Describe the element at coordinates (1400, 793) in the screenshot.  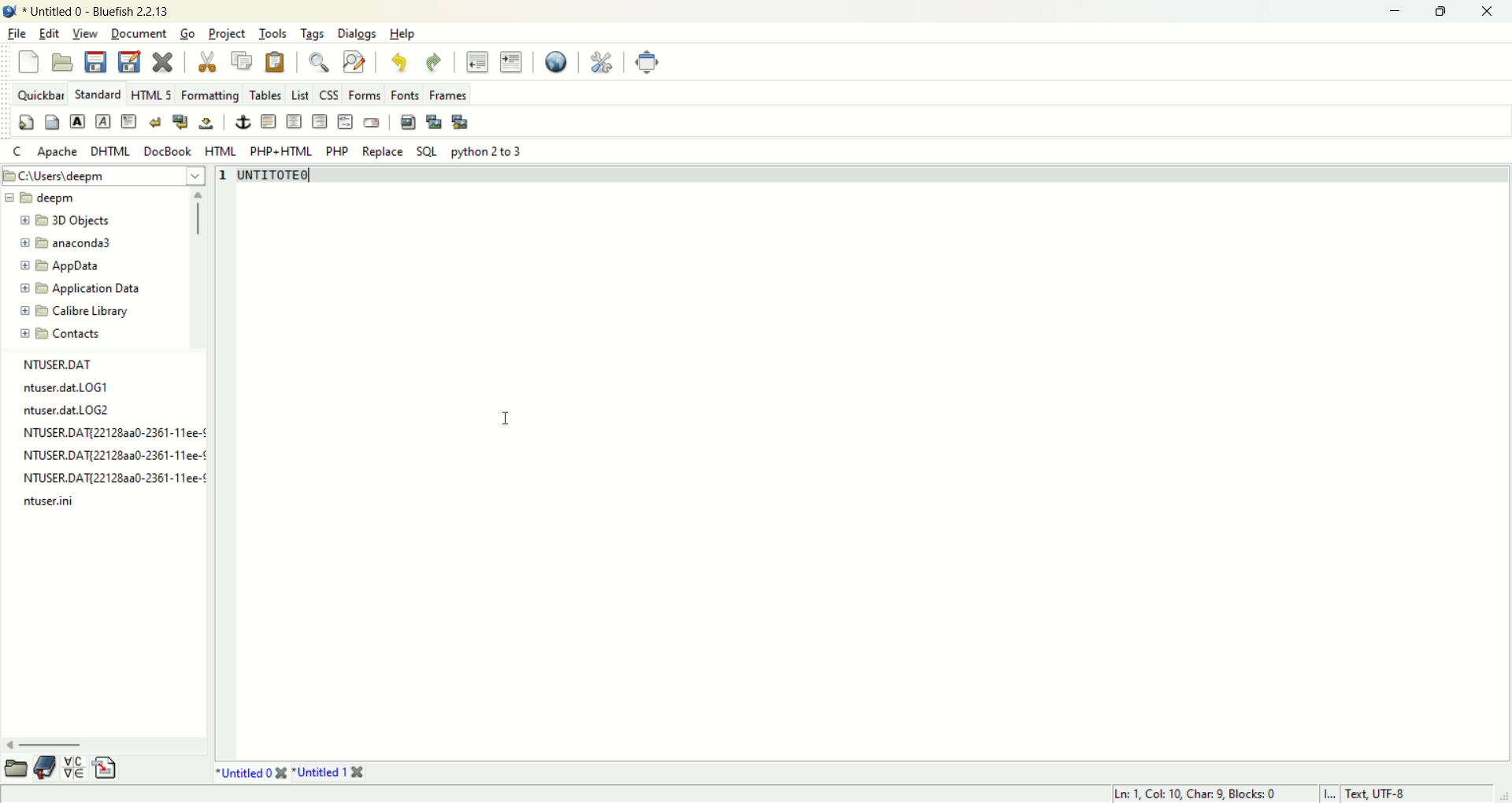
I see `text, UTF-8` at that location.